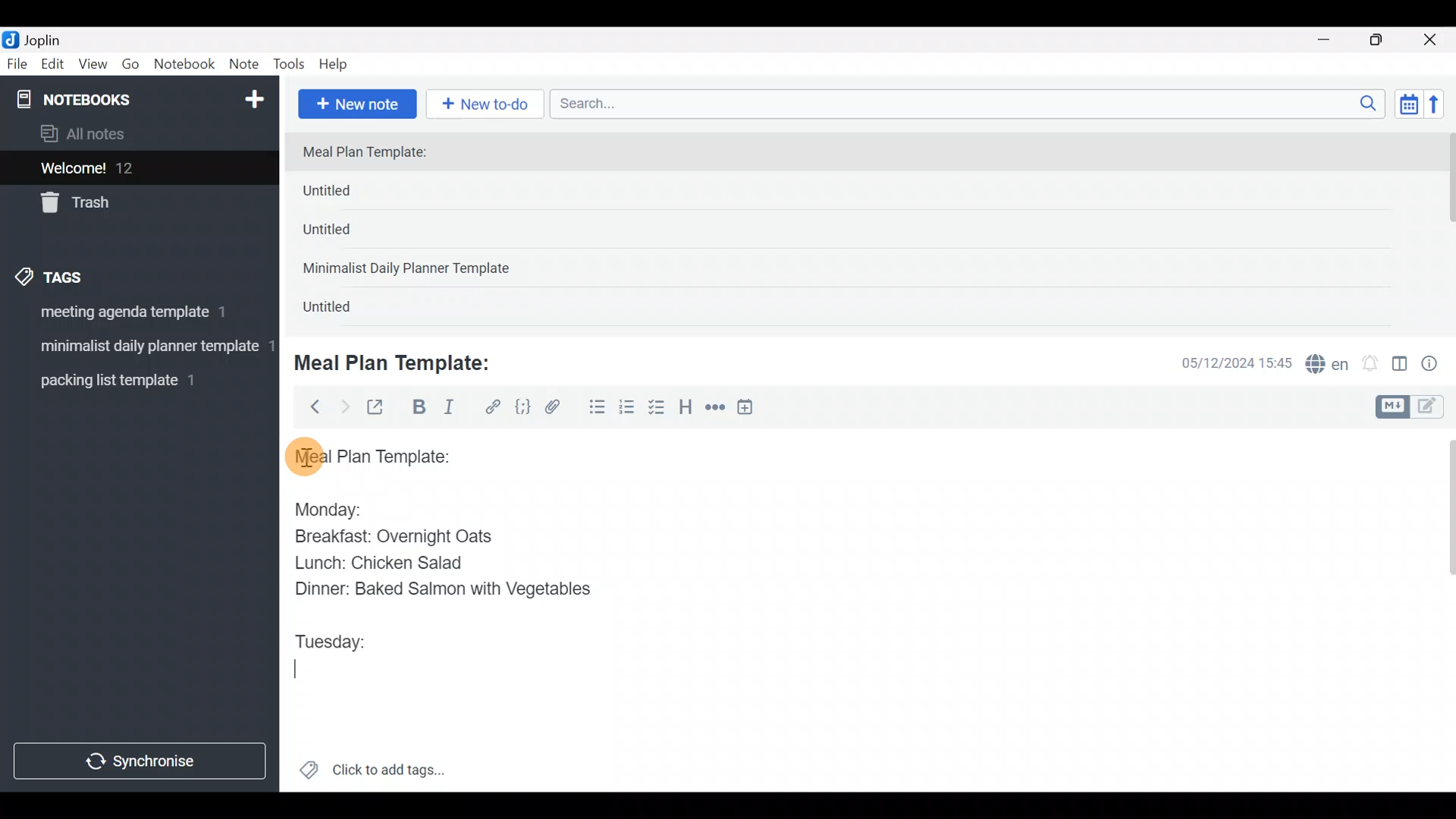  Describe the element at coordinates (339, 61) in the screenshot. I see `Help` at that location.